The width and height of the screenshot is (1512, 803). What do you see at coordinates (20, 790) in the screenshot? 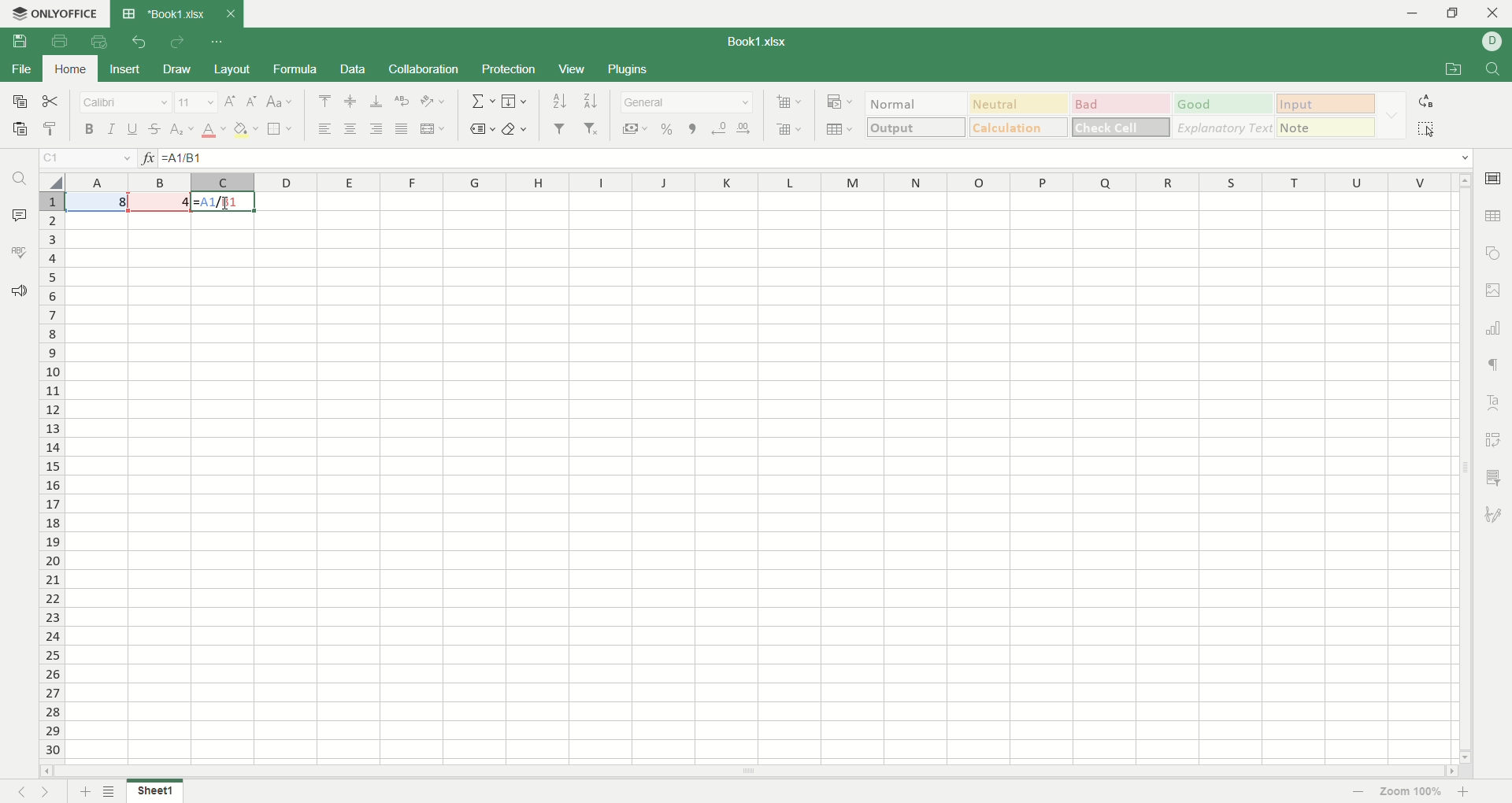
I see `previous` at bounding box center [20, 790].